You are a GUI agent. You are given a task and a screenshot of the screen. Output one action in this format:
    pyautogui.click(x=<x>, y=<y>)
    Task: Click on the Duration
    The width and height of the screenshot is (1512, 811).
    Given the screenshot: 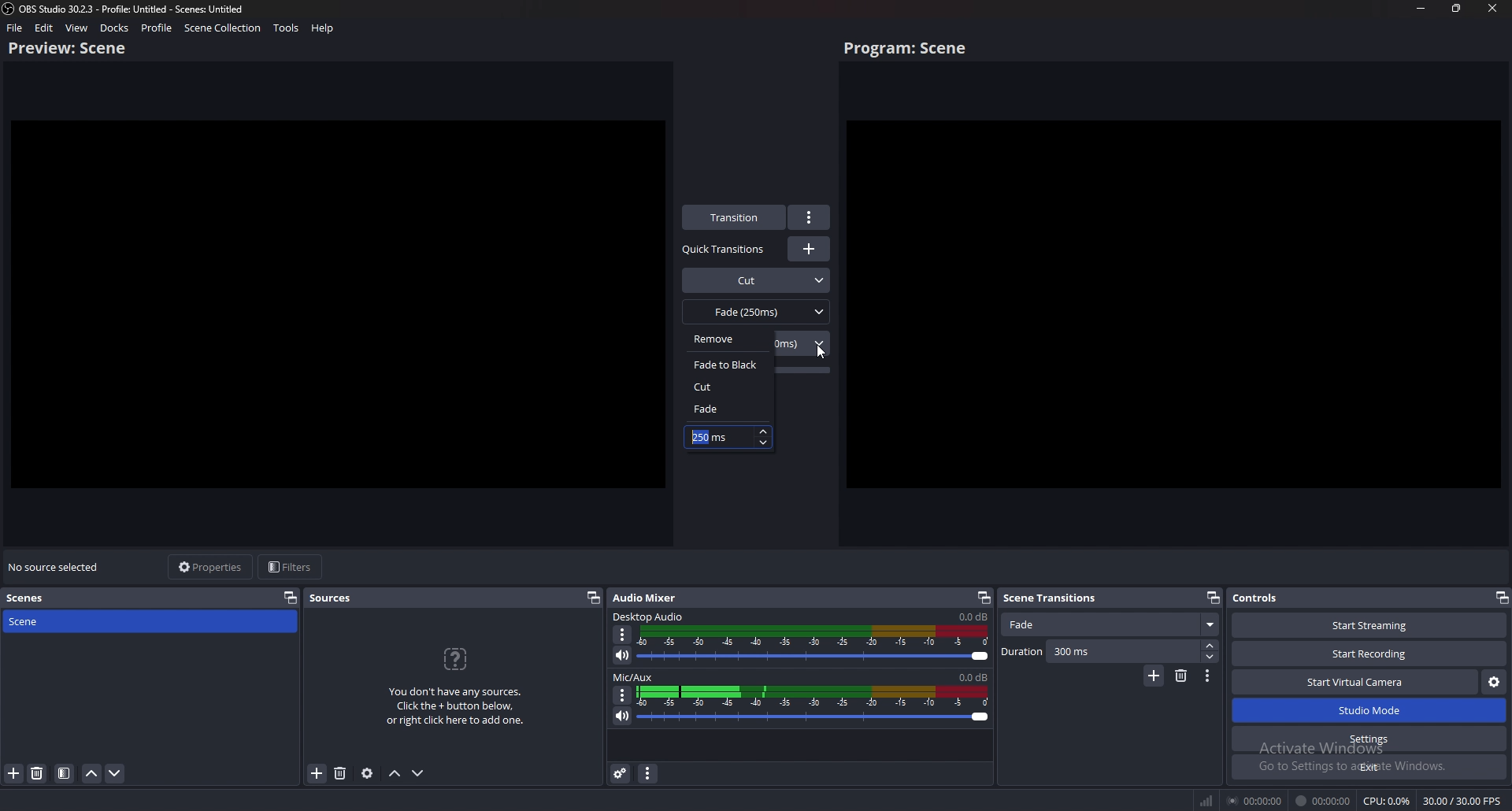 What is the action you would take?
    pyautogui.click(x=1110, y=652)
    